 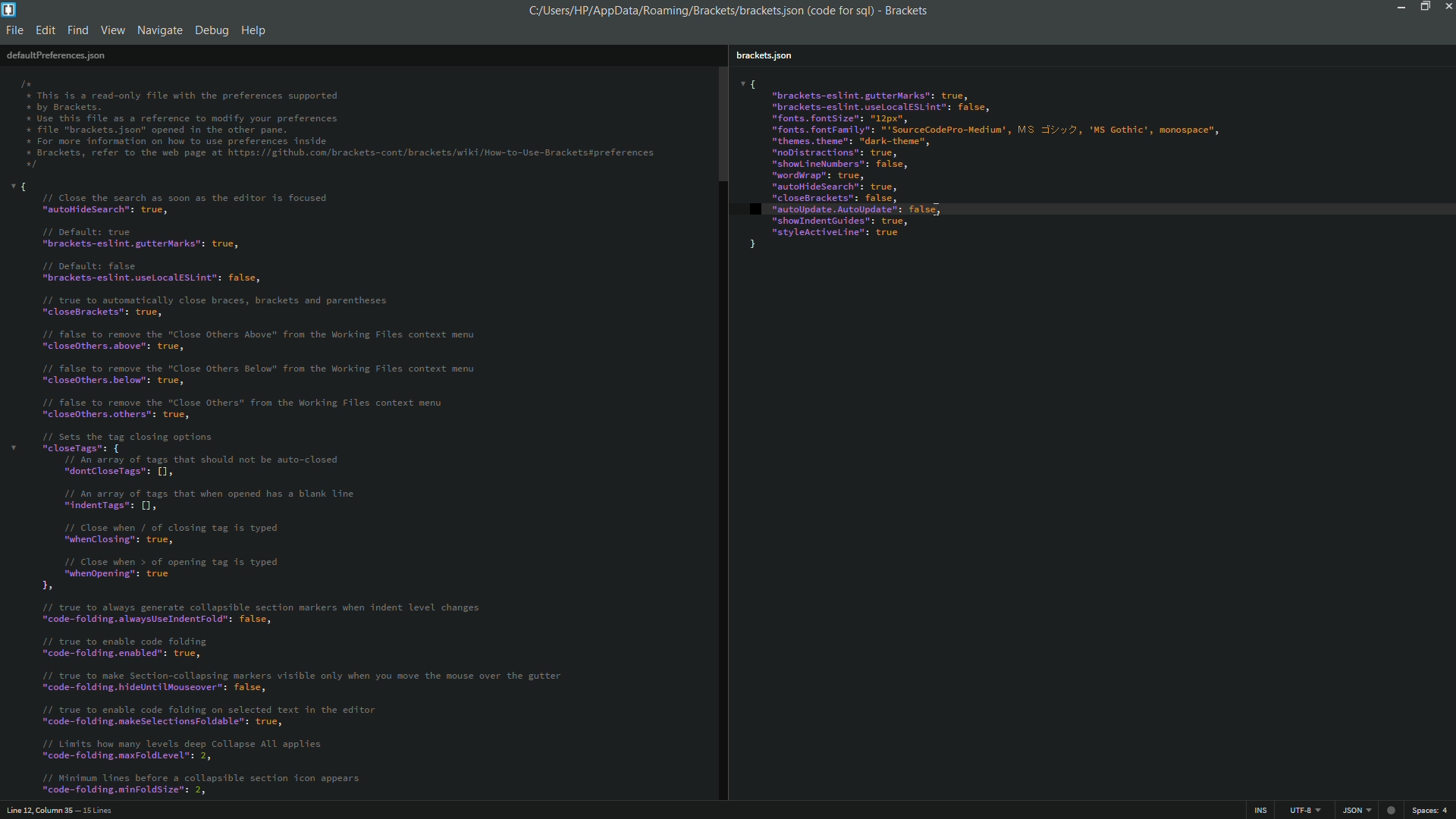 What do you see at coordinates (1393, 808) in the screenshot?
I see `record` at bounding box center [1393, 808].